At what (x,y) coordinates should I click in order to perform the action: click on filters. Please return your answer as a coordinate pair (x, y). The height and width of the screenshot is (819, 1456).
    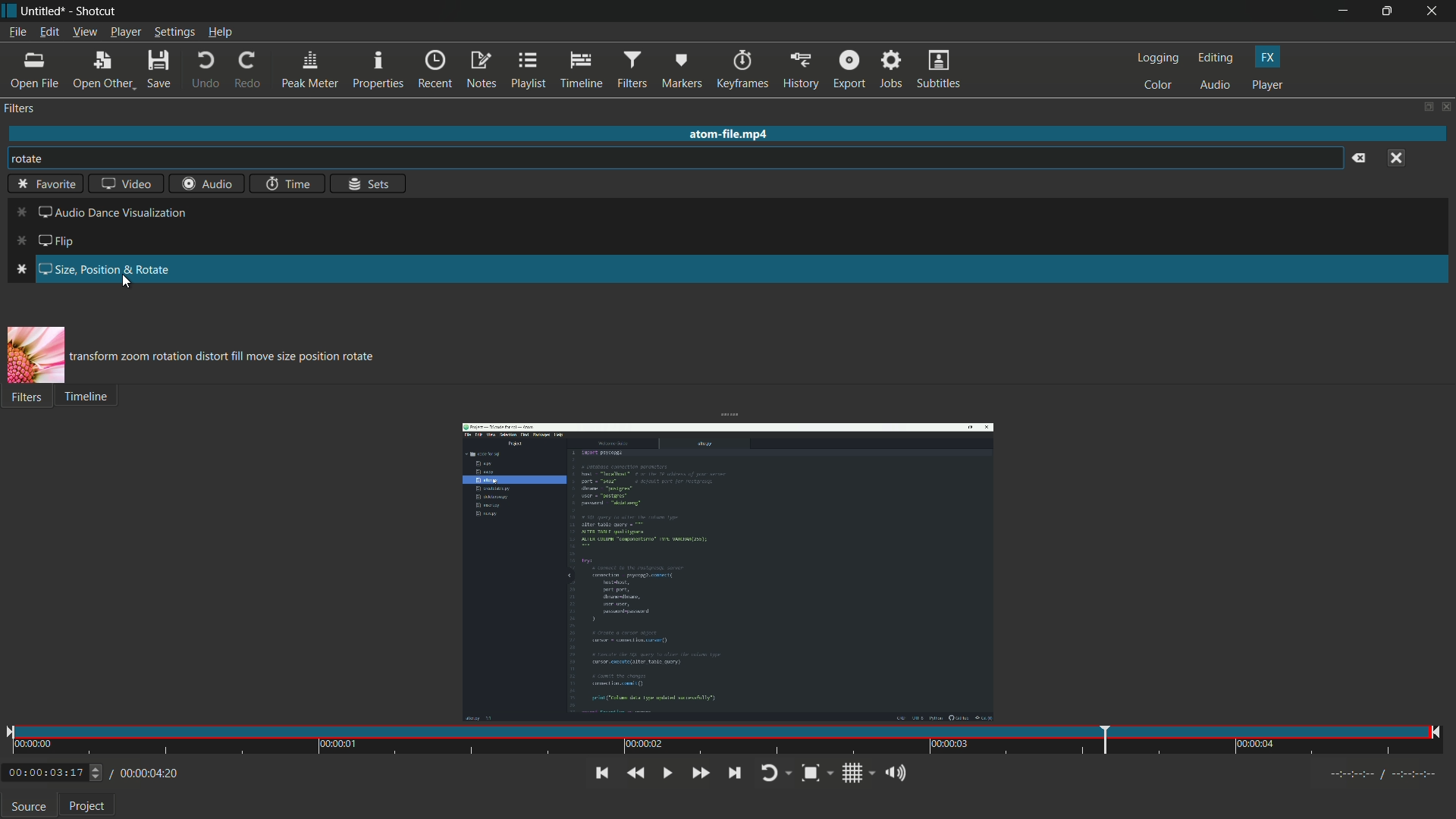
    Looking at the image, I should click on (630, 71).